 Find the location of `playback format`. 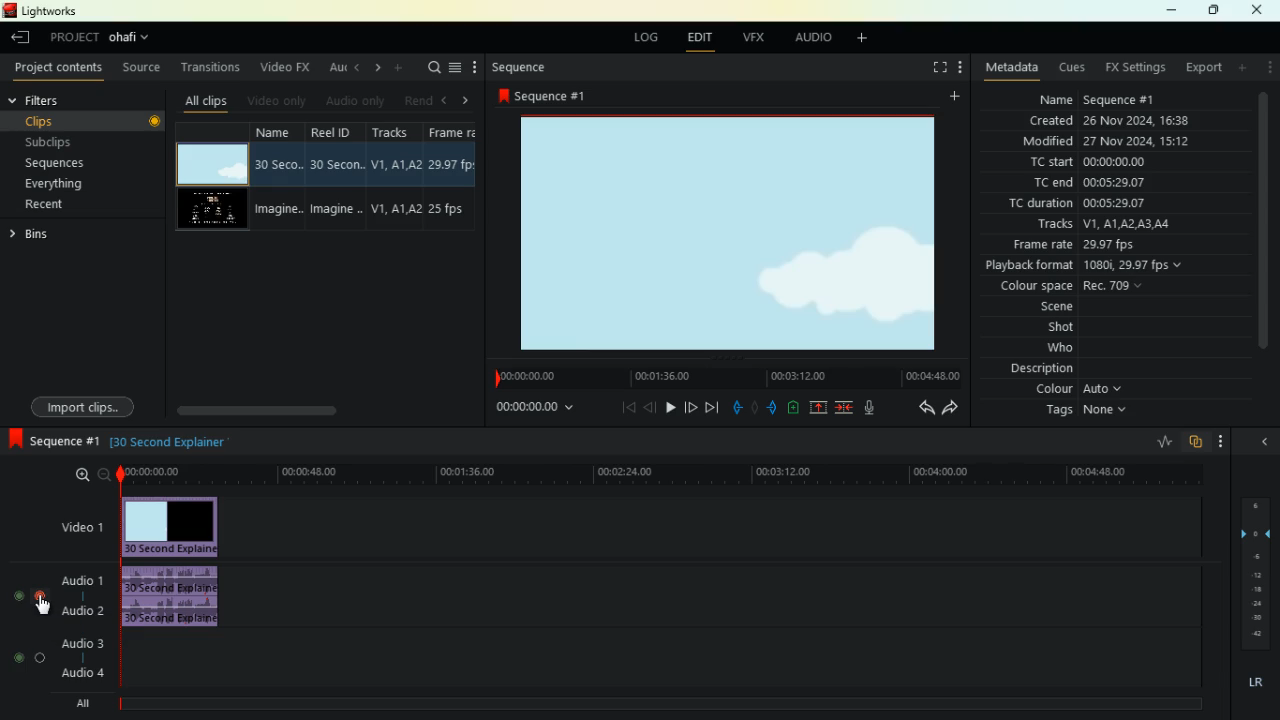

playback format is located at coordinates (1087, 266).